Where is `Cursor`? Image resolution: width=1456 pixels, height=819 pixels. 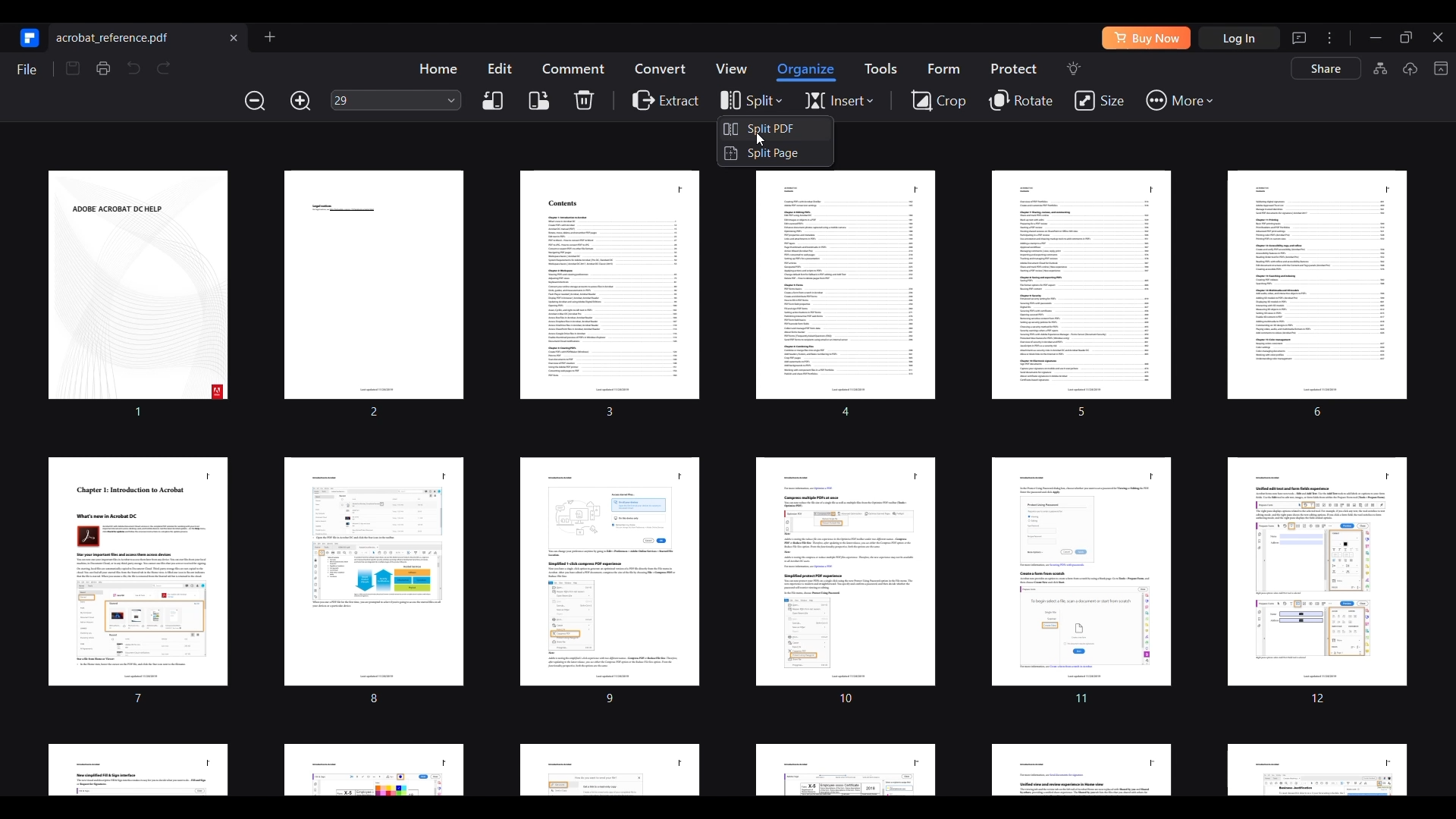
Cursor is located at coordinates (759, 139).